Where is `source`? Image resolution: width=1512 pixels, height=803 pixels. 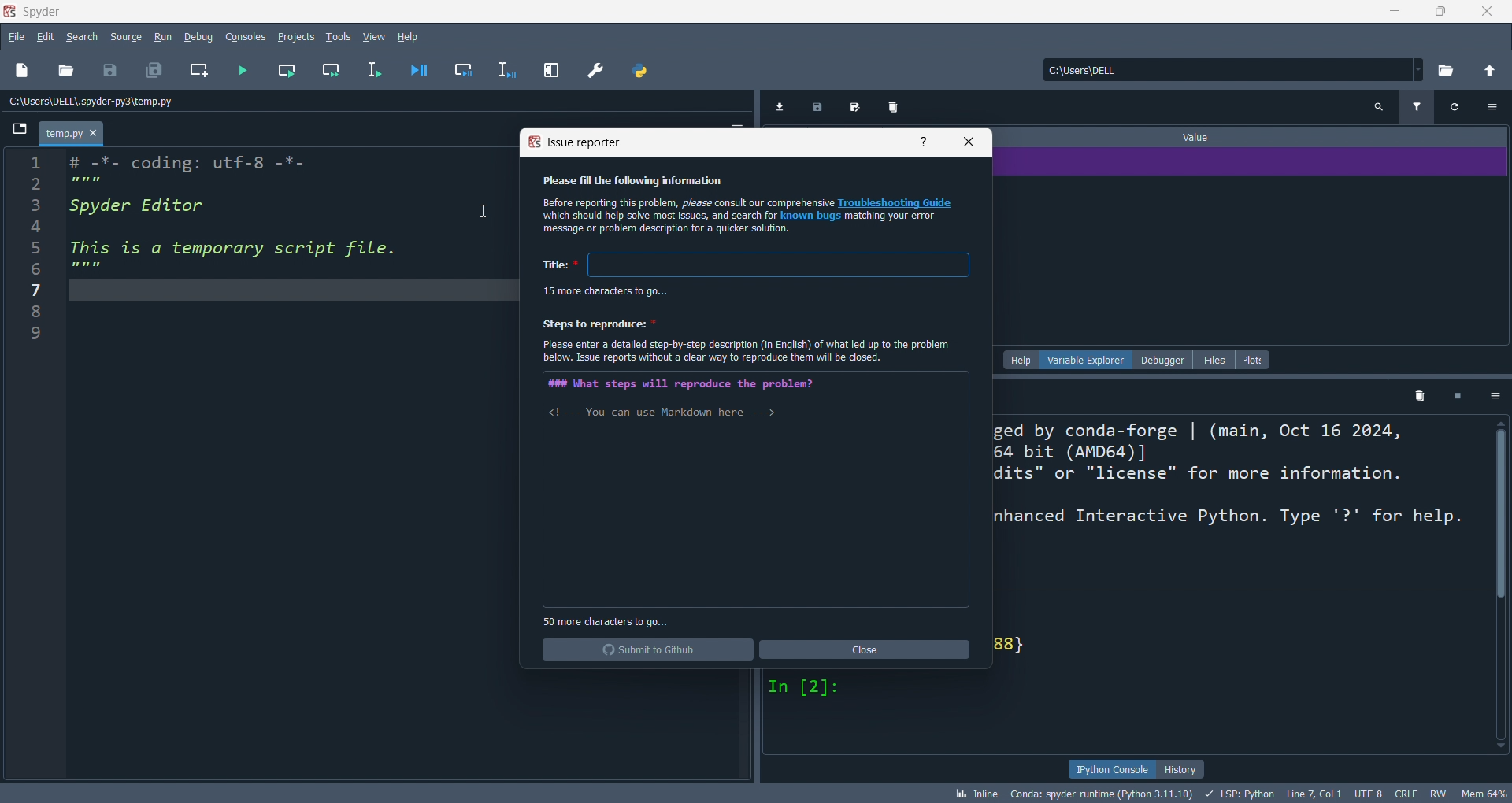 source is located at coordinates (126, 38).